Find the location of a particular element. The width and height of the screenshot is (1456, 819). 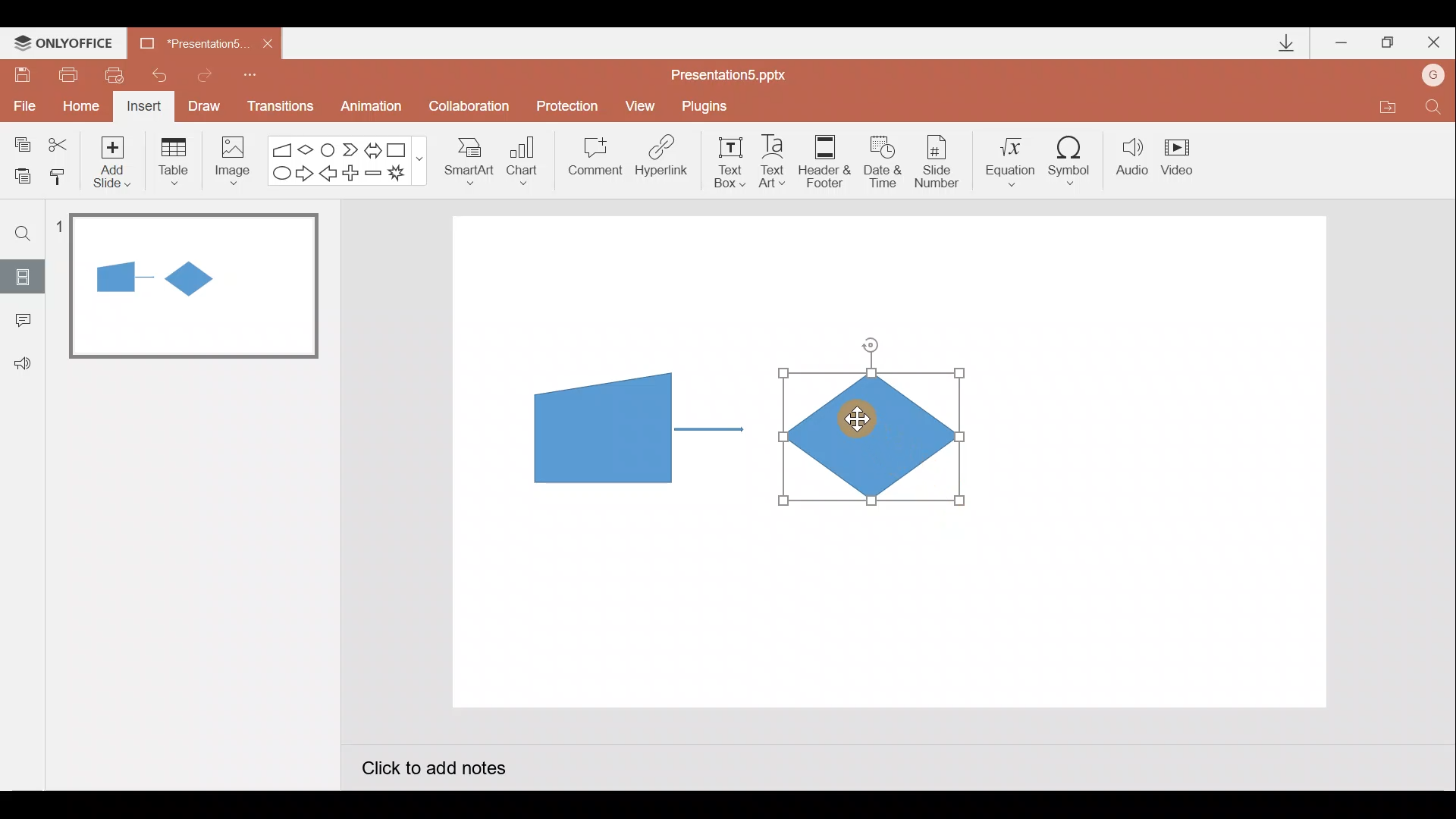

Feedback & support is located at coordinates (24, 362).